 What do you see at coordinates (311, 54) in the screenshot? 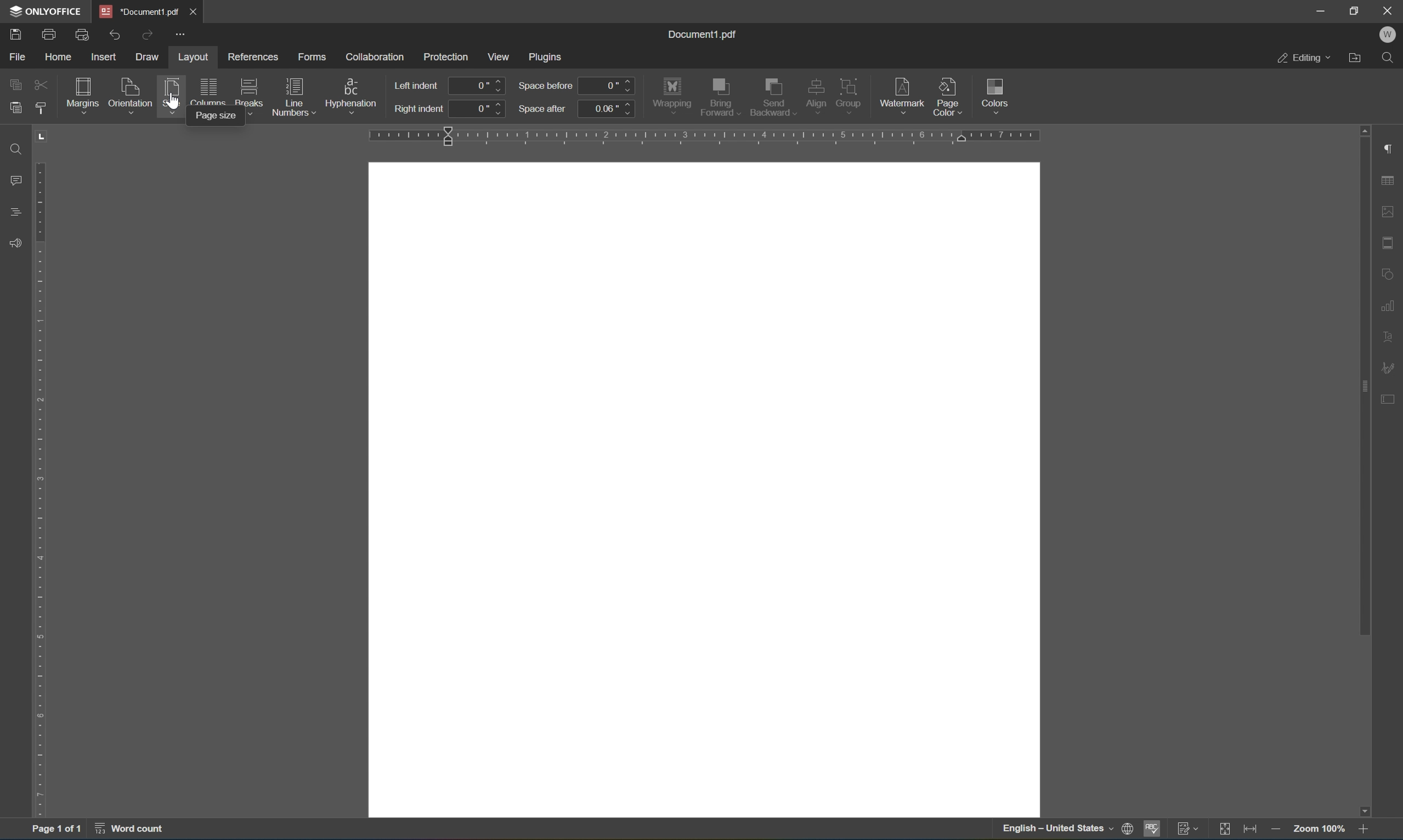
I see `forms` at bounding box center [311, 54].